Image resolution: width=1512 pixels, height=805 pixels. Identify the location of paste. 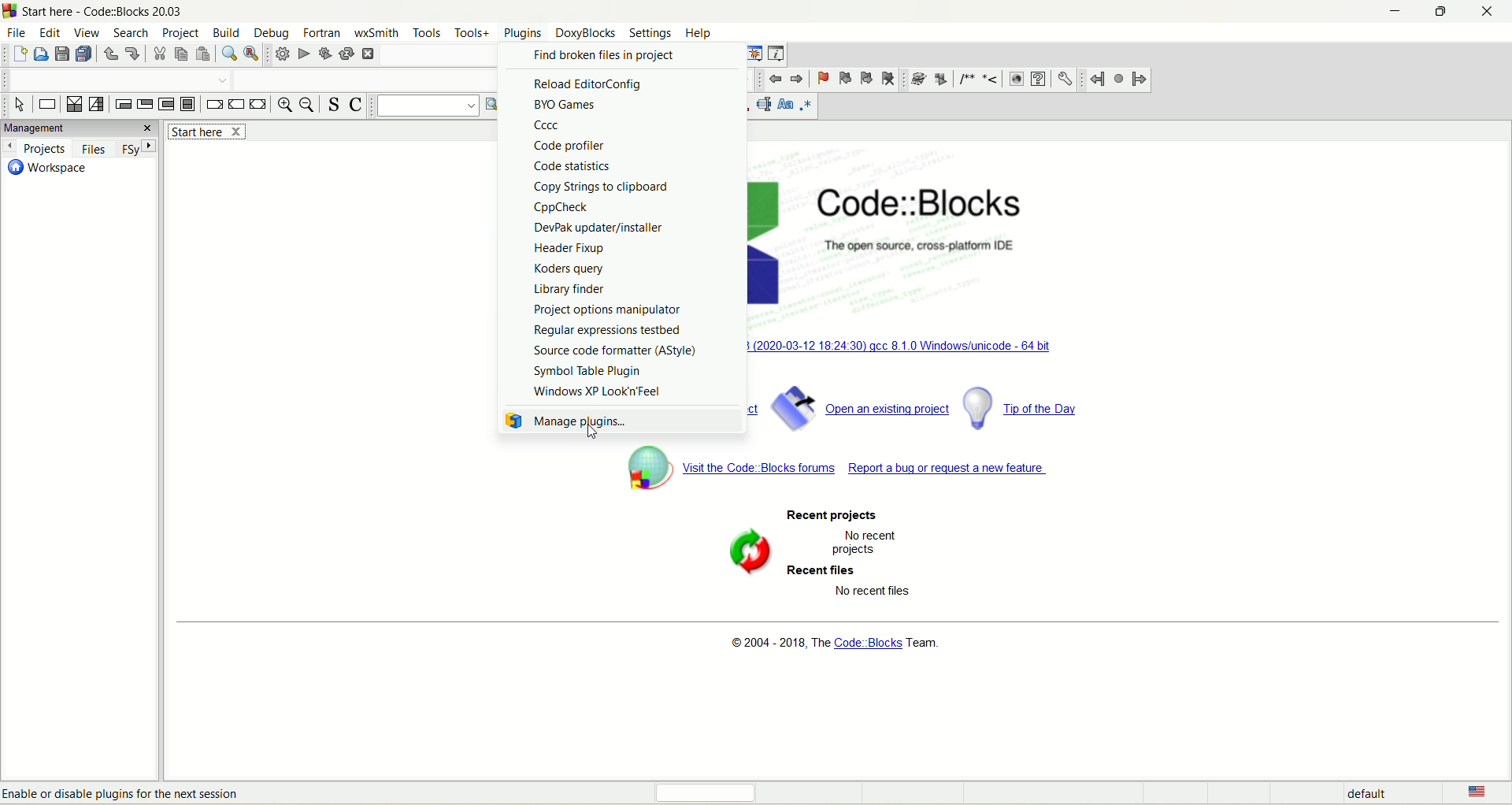
(204, 55).